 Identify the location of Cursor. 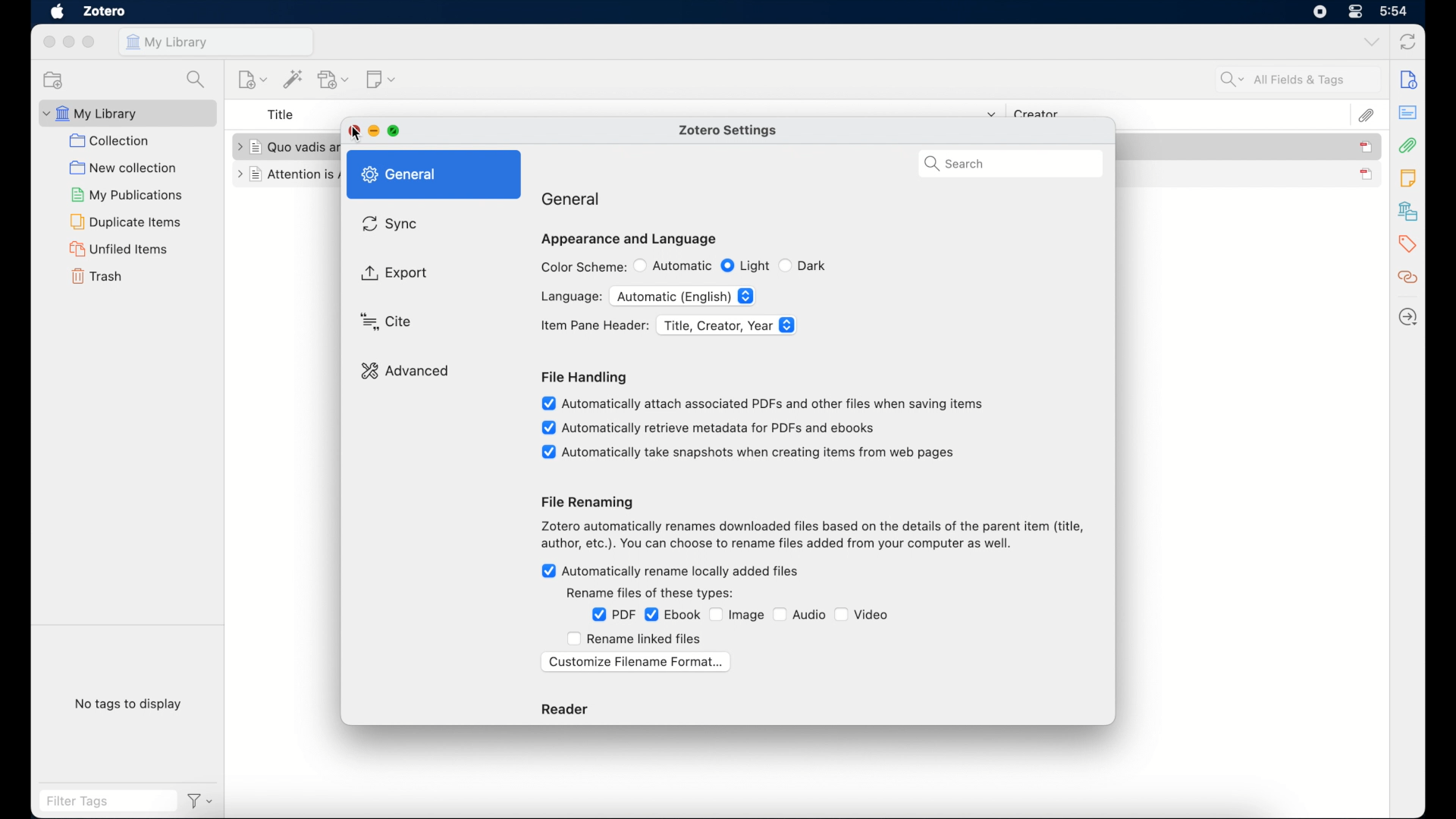
(356, 135).